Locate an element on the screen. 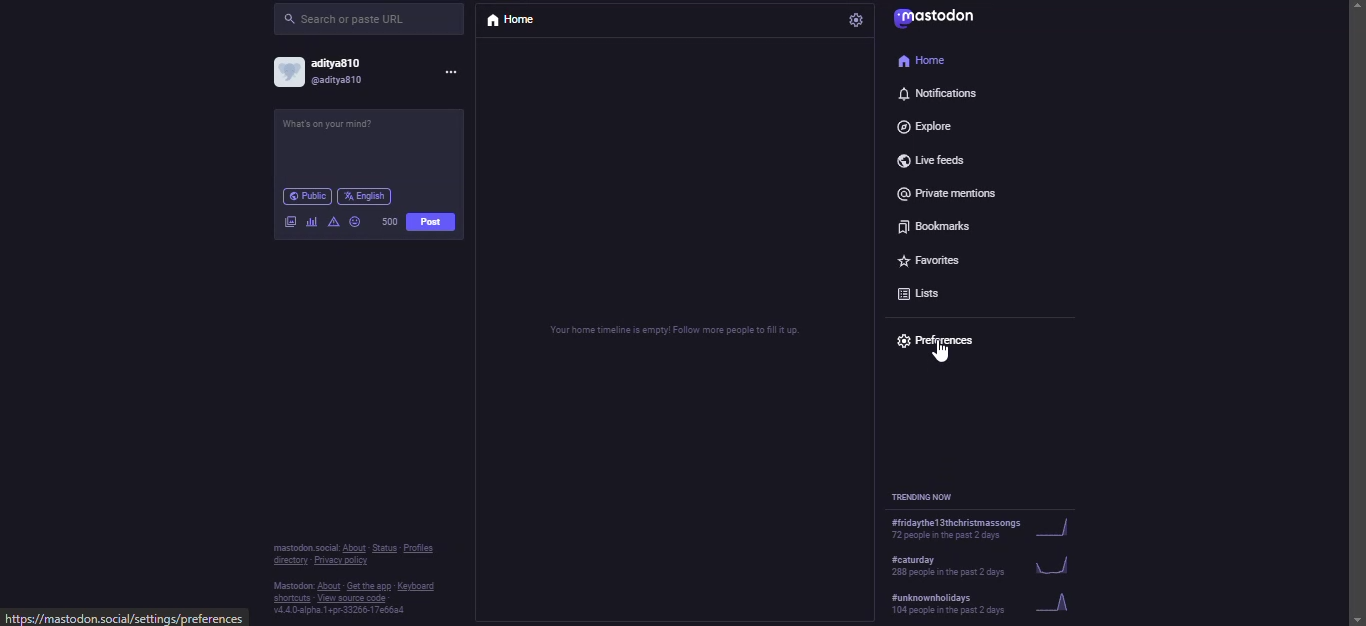 This screenshot has height=626, width=1366. Mastodon is located at coordinates (290, 587).